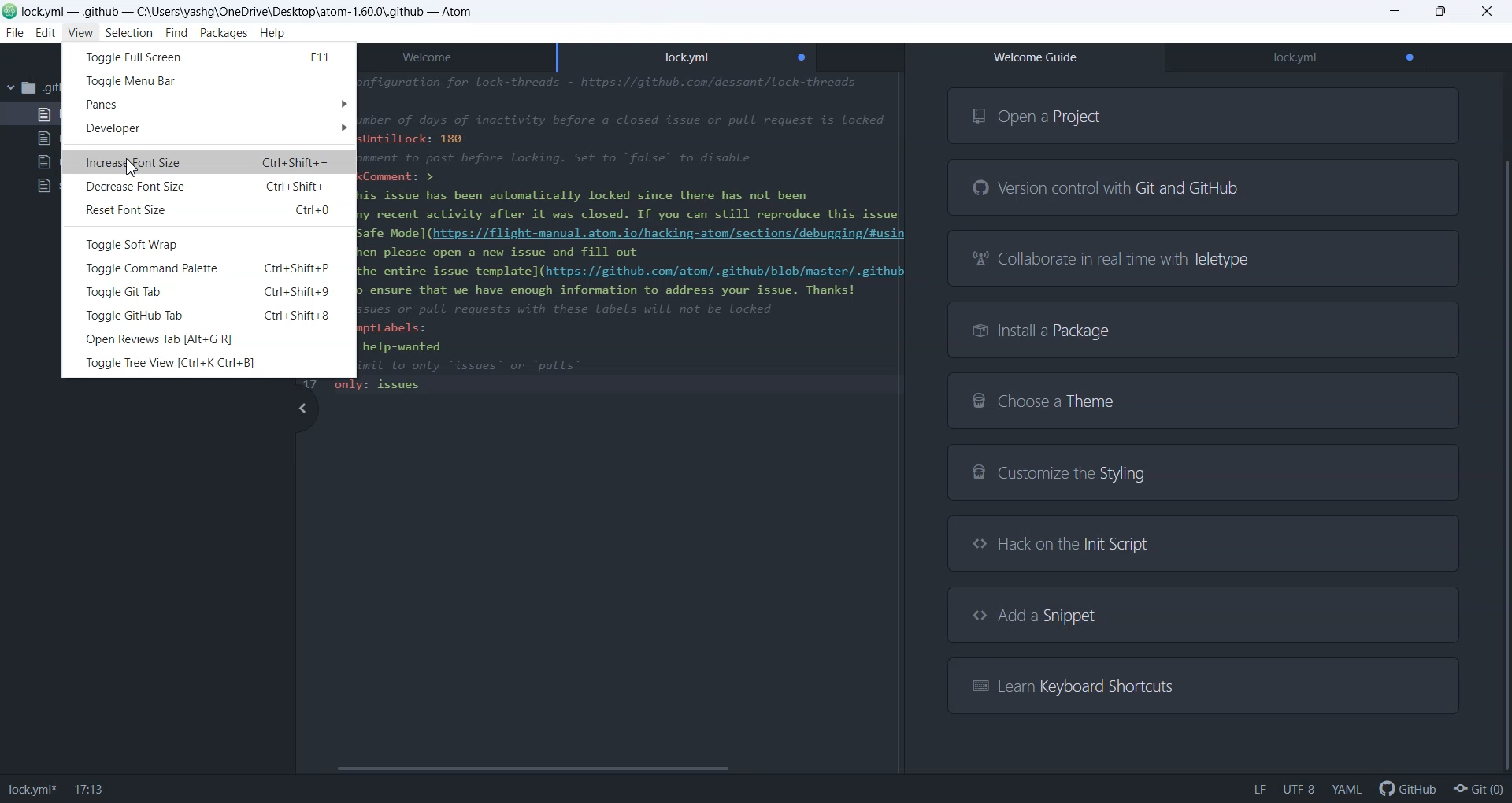 Image resolution: width=1512 pixels, height=803 pixels. I want to click on Help, so click(272, 34).